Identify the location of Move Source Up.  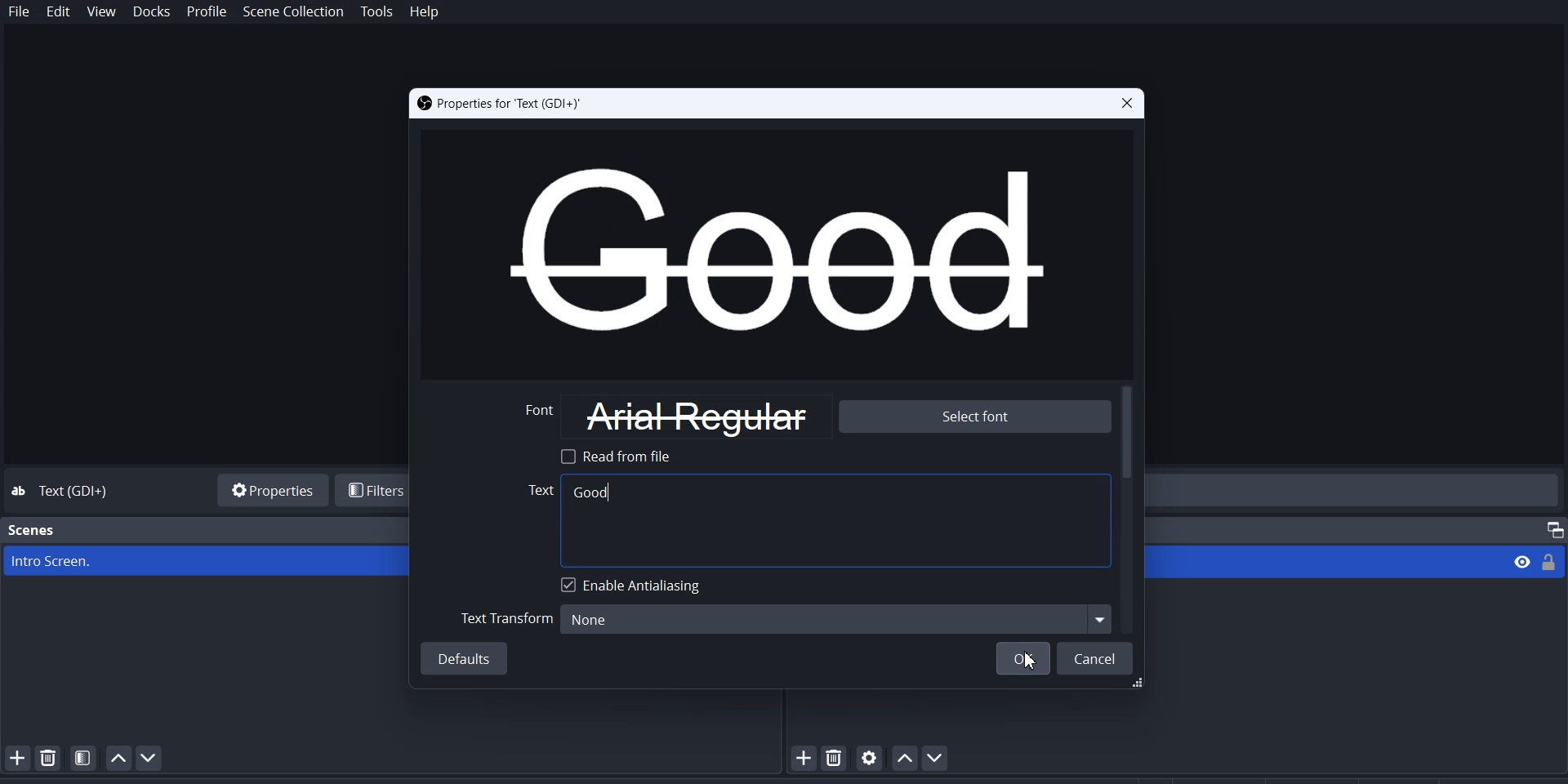
(903, 757).